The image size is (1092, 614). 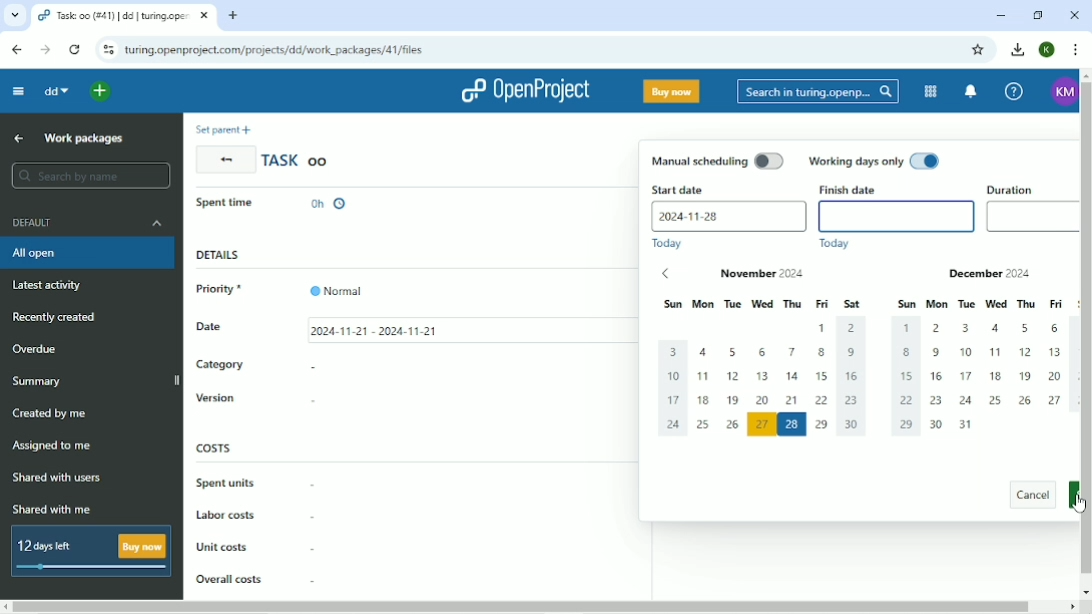 I want to click on -, so click(x=313, y=581).